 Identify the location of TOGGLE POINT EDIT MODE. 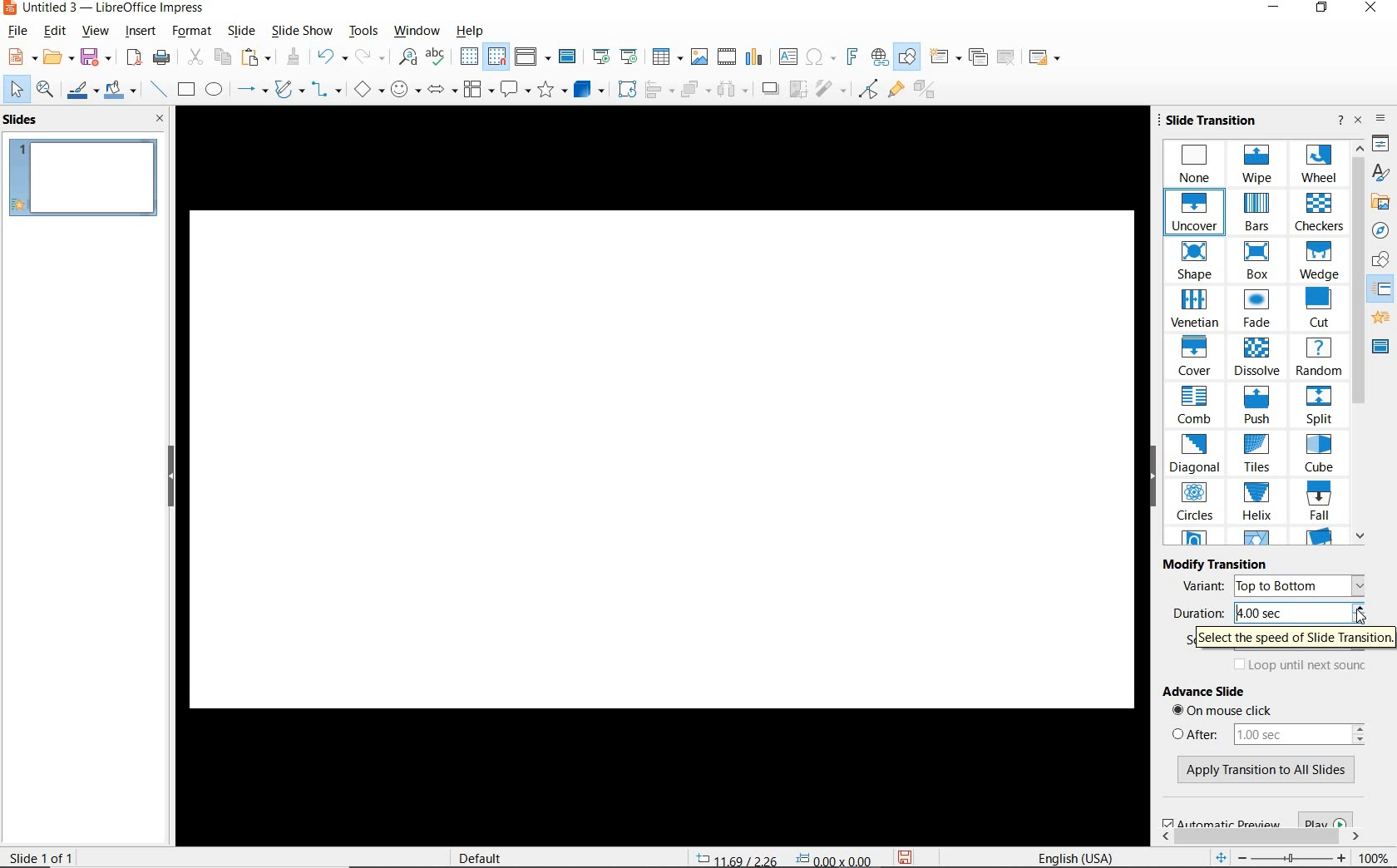
(866, 90).